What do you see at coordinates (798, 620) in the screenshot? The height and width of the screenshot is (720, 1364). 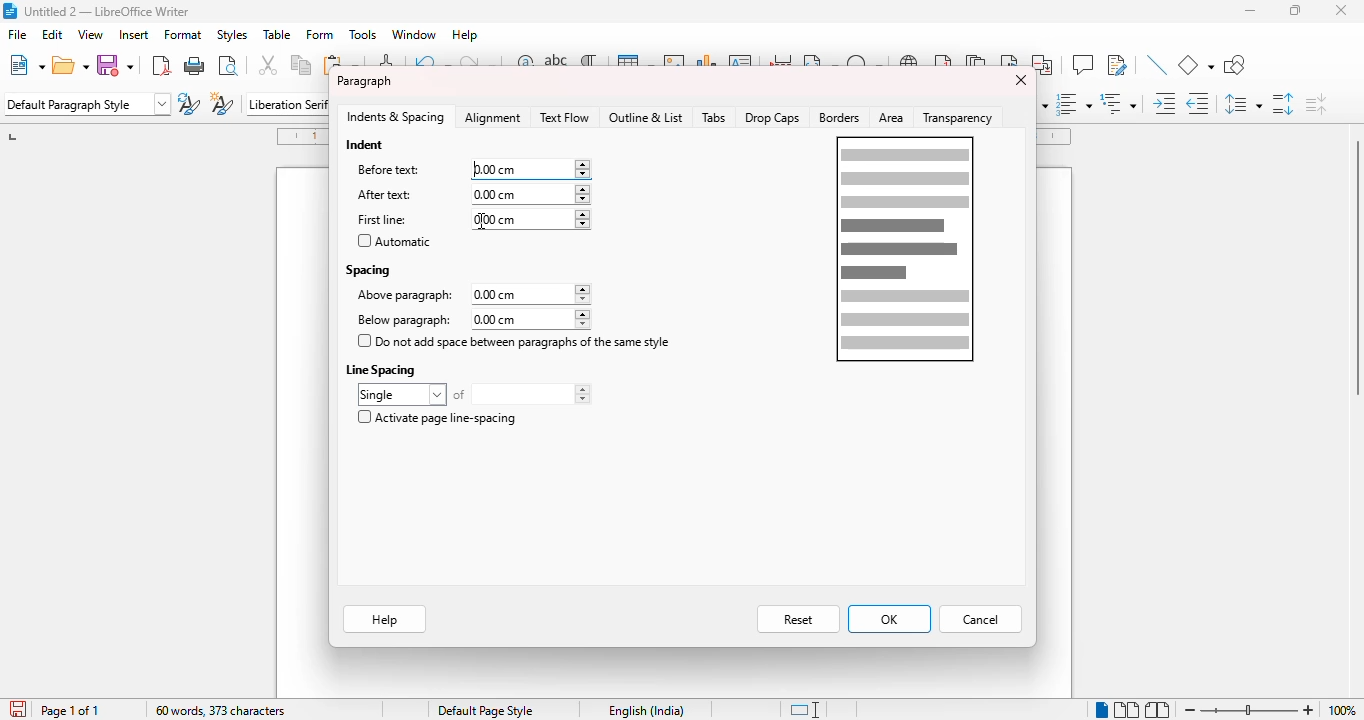 I see `reset` at bounding box center [798, 620].